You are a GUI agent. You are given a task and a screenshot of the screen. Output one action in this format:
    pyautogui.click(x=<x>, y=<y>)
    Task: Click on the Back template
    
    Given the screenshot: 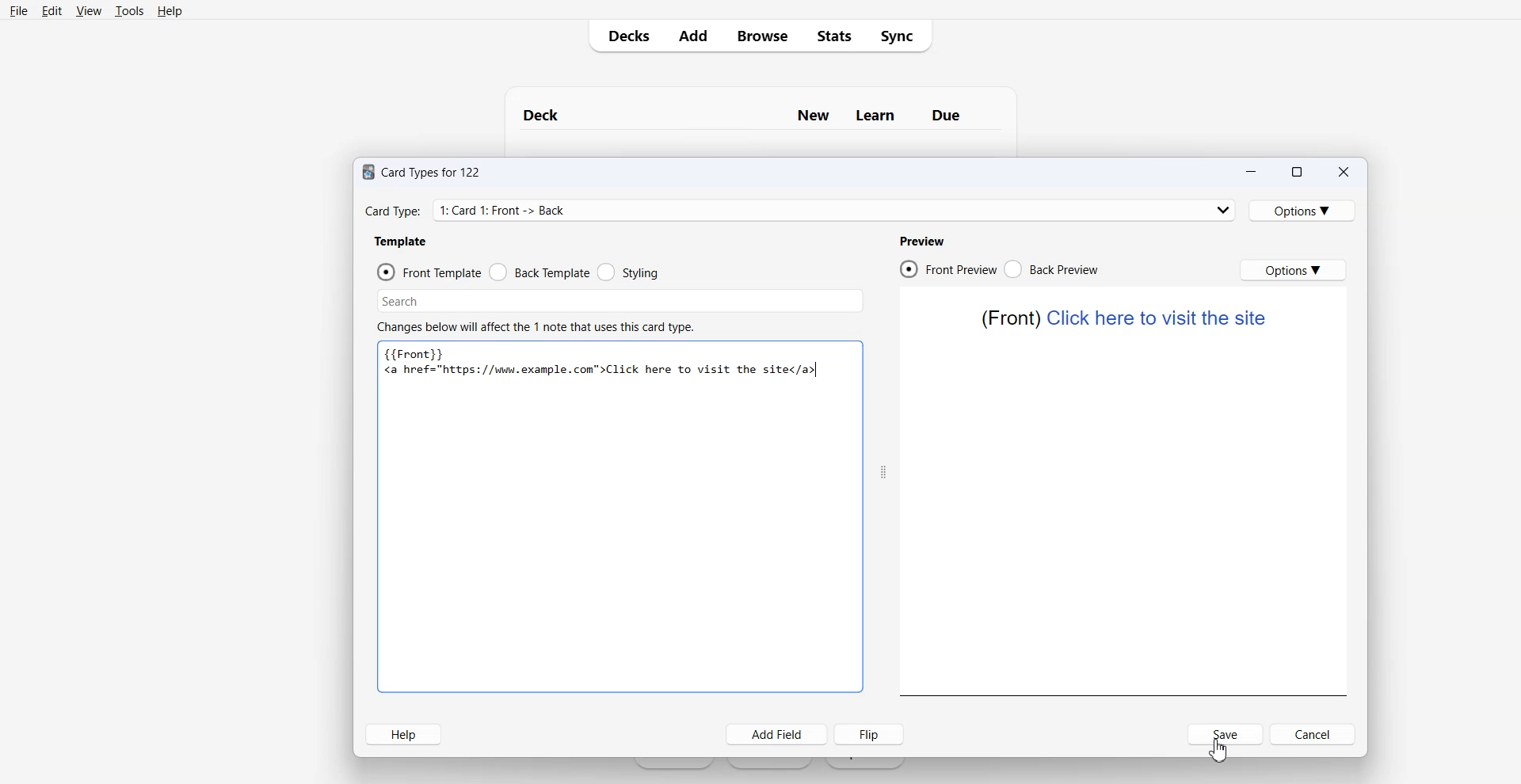 What is the action you would take?
    pyautogui.click(x=539, y=272)
    